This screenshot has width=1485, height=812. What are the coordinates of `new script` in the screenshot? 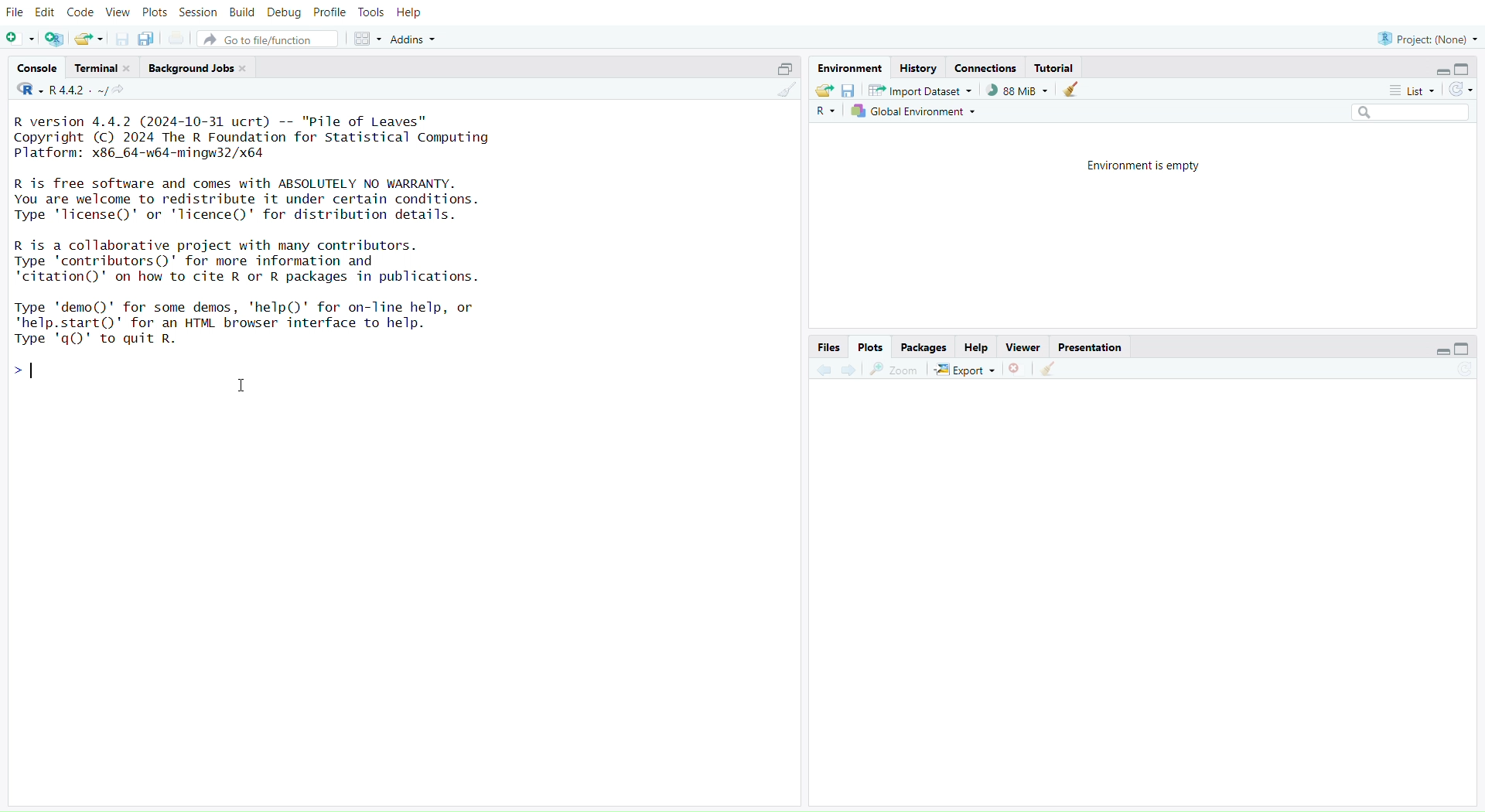 It's located at (19, 38).